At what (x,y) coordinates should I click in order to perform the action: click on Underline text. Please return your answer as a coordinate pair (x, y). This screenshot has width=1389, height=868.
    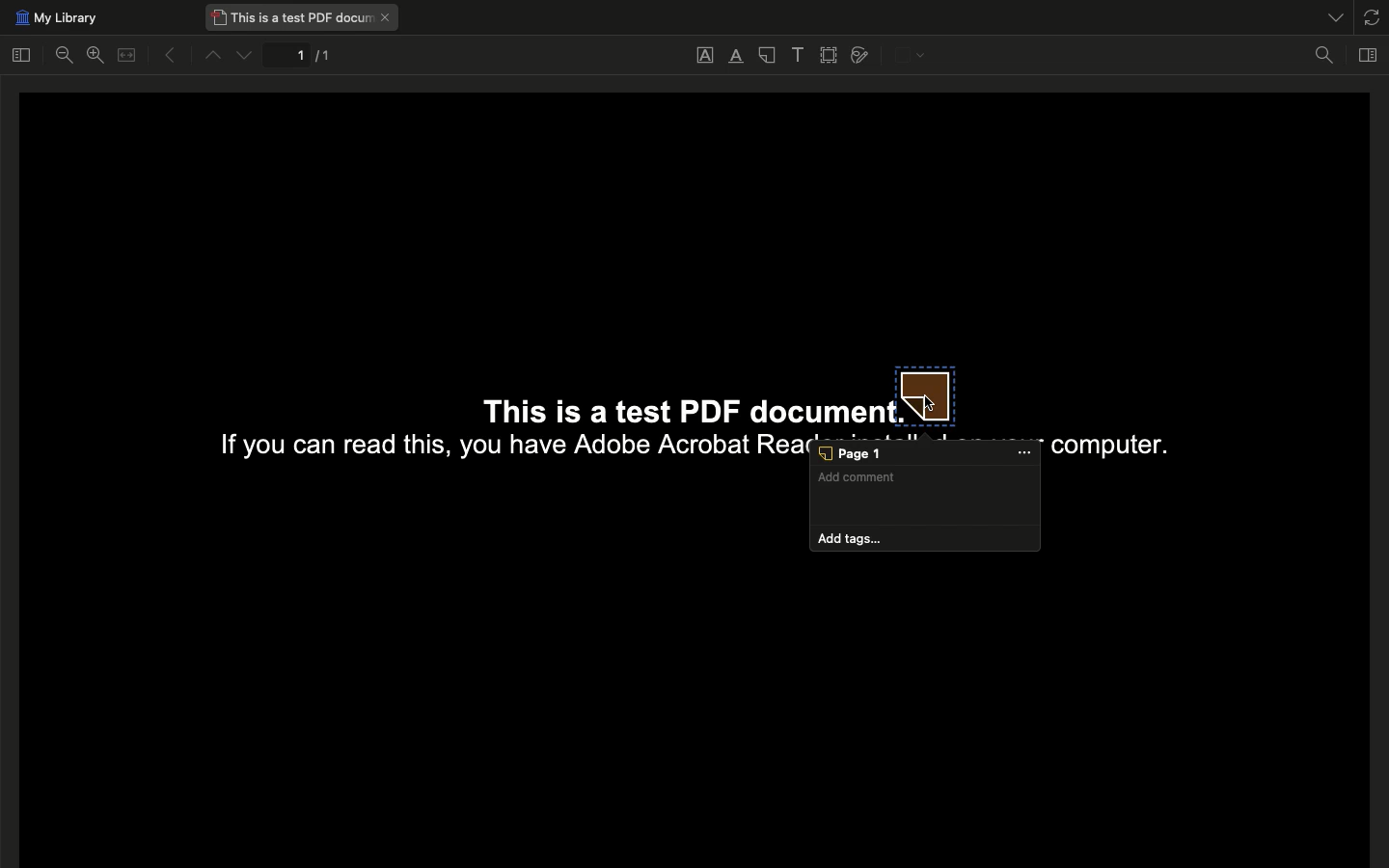
    Looking at the image, I should click on (705, 54).